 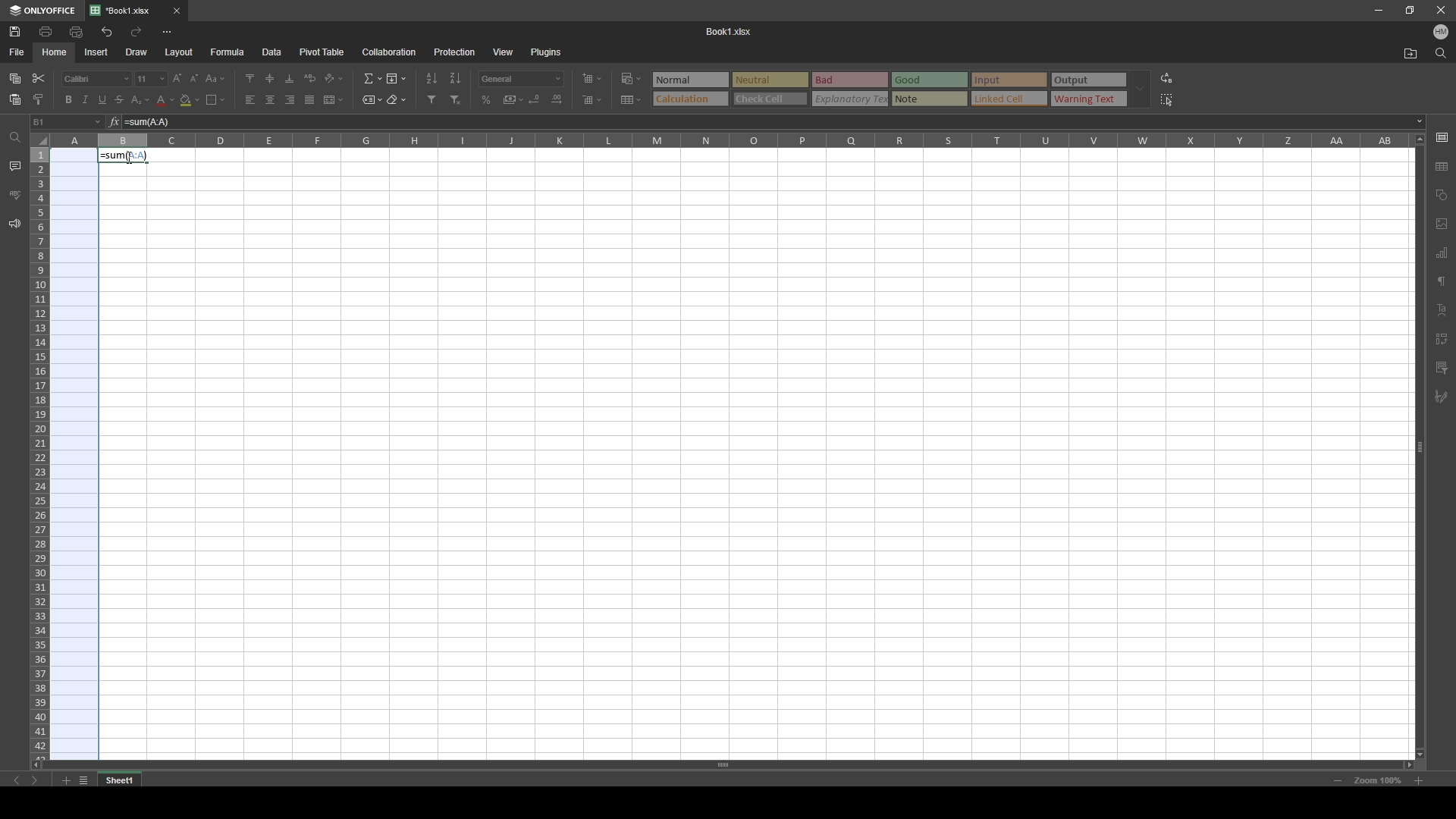 What do you see at coordinates (930, 80) in the screenshot?
I see `Good` at bounding box center [930, 80].